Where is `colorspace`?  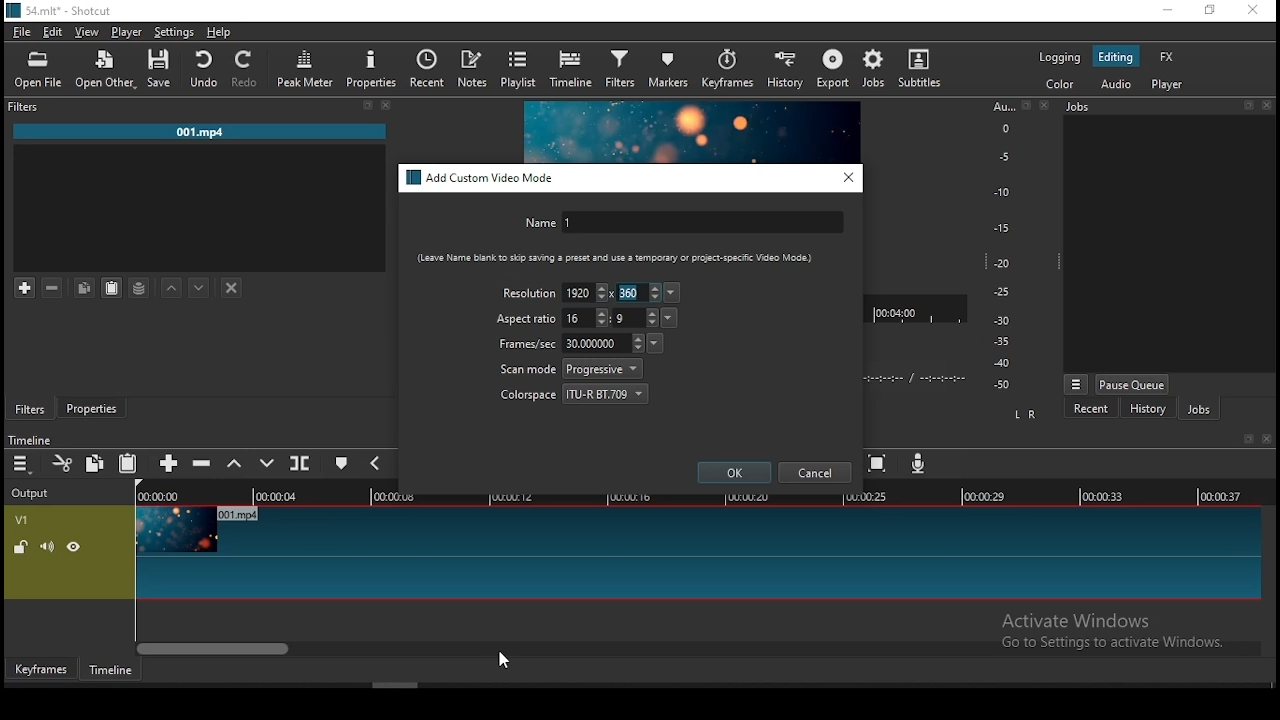 colorspace is located at coordinates (575, 392).